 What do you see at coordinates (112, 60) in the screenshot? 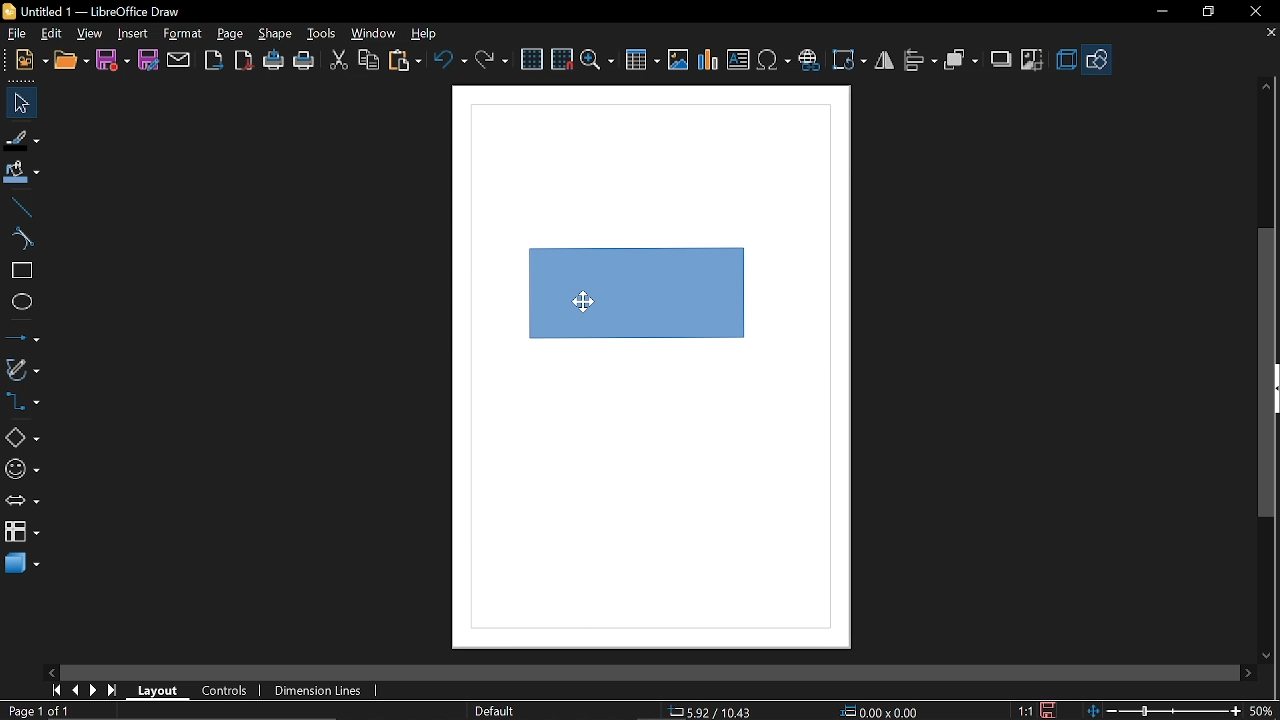
I see `Save` at bounding box center [112, 60].